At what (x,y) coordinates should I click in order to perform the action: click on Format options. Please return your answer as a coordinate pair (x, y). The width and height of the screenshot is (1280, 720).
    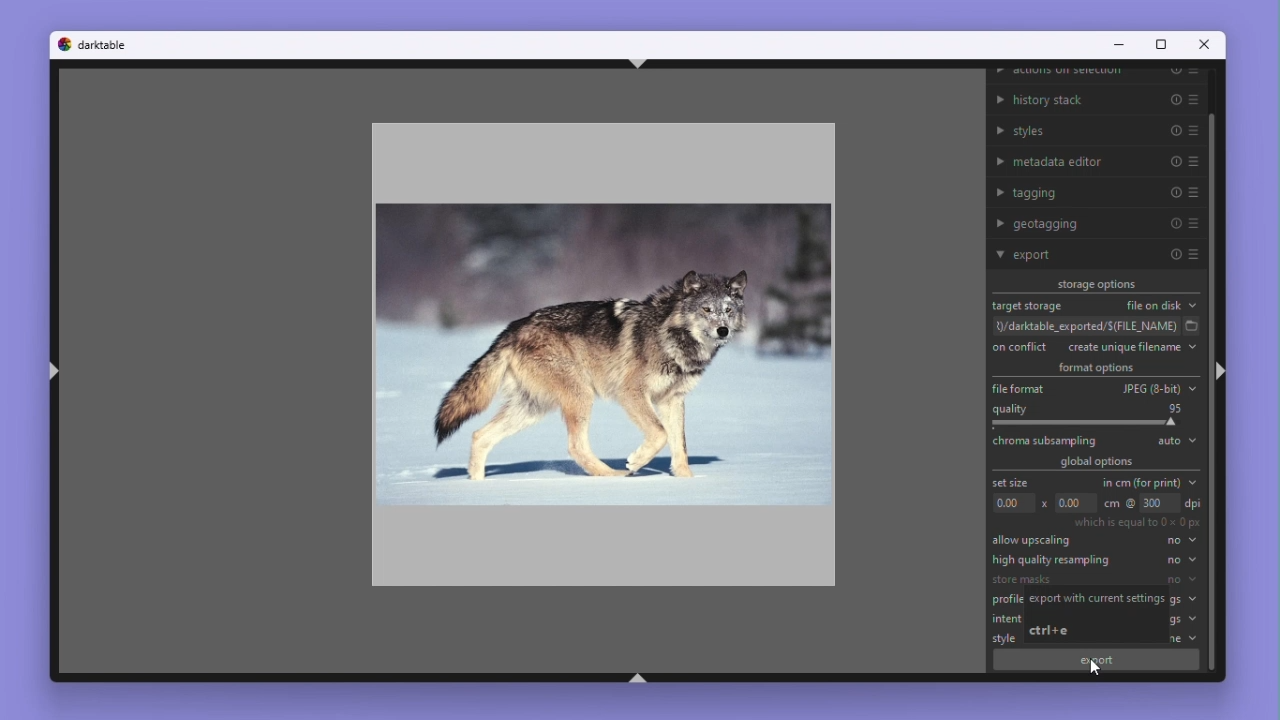
    Looking at the image, I should click on (1098, 368).